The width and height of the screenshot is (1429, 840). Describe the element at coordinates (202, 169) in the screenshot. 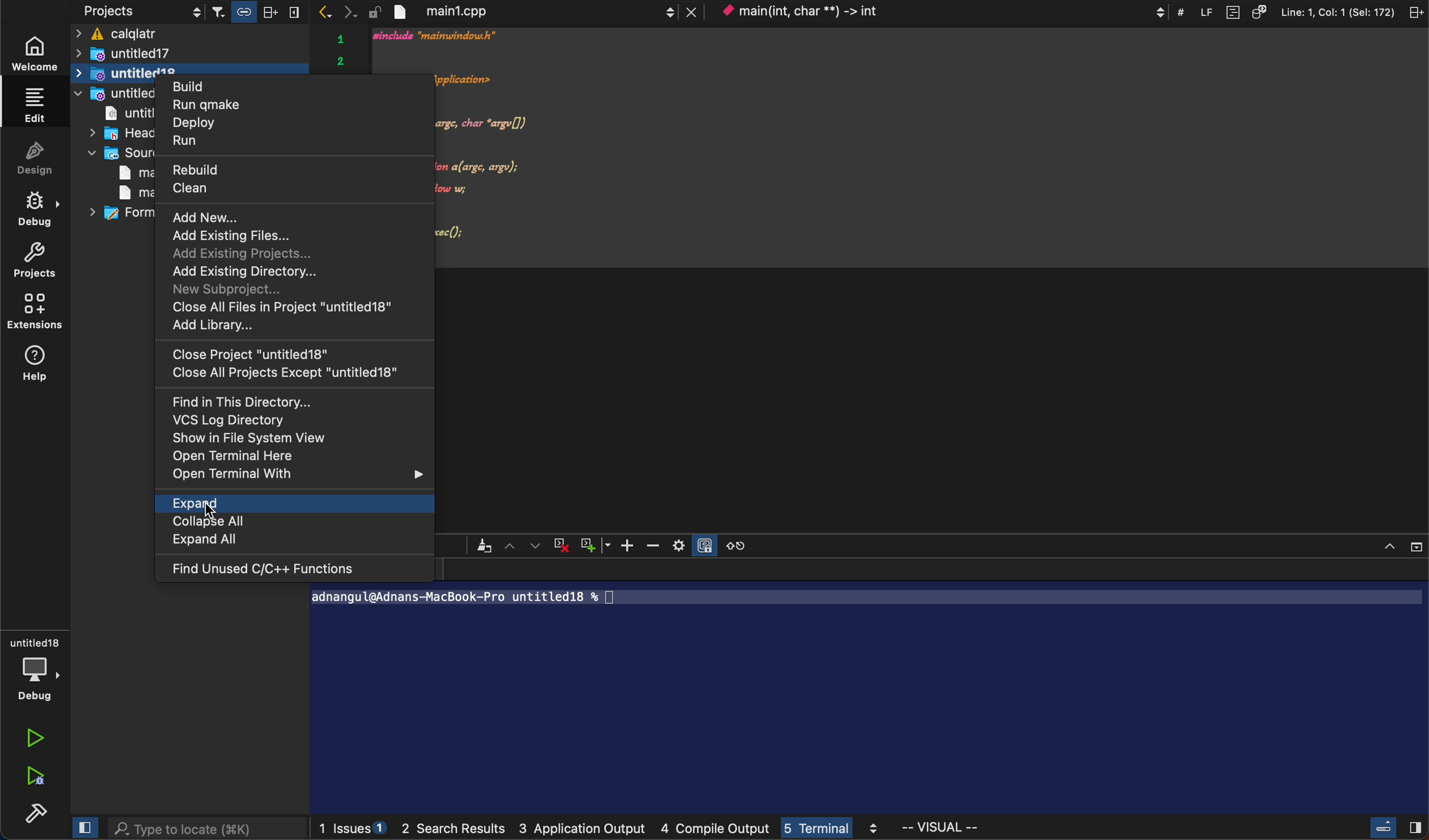

I see `rebuild` at that location.